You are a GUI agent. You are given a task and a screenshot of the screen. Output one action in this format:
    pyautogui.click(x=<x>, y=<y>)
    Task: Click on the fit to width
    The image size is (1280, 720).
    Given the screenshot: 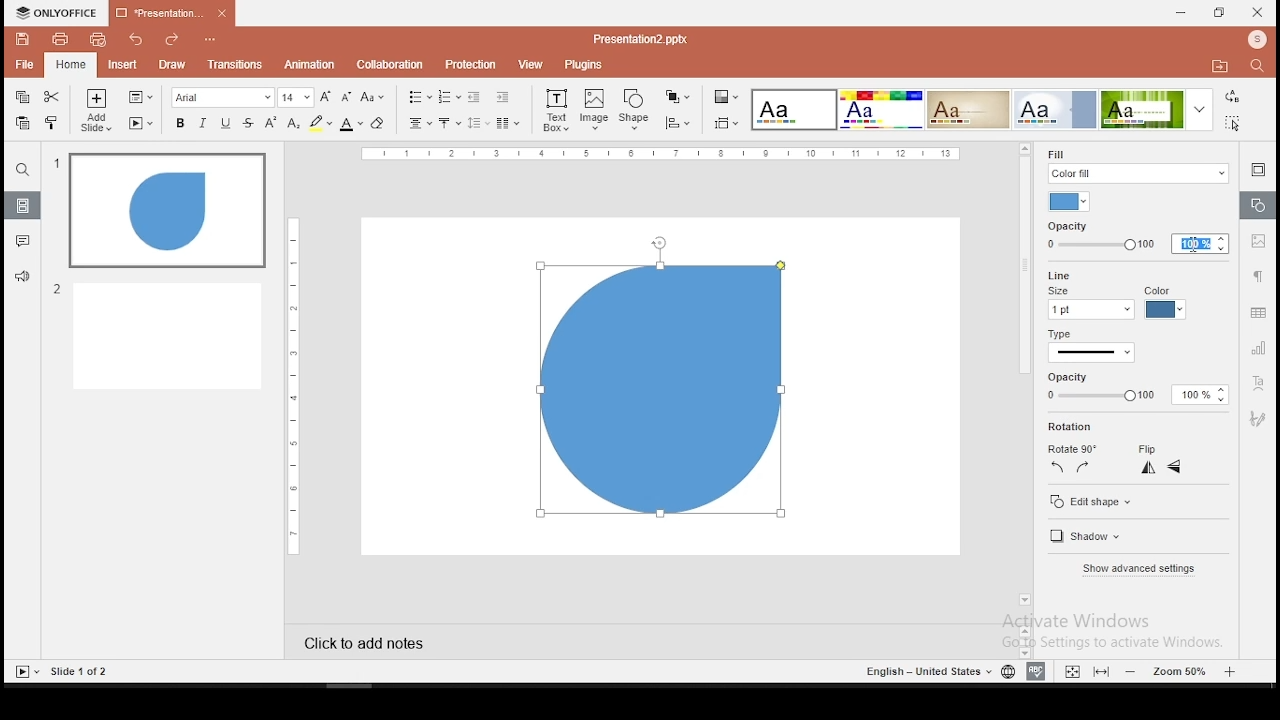 What is the action you would take?
    pyautogui.click(x=1069, y=671)
    